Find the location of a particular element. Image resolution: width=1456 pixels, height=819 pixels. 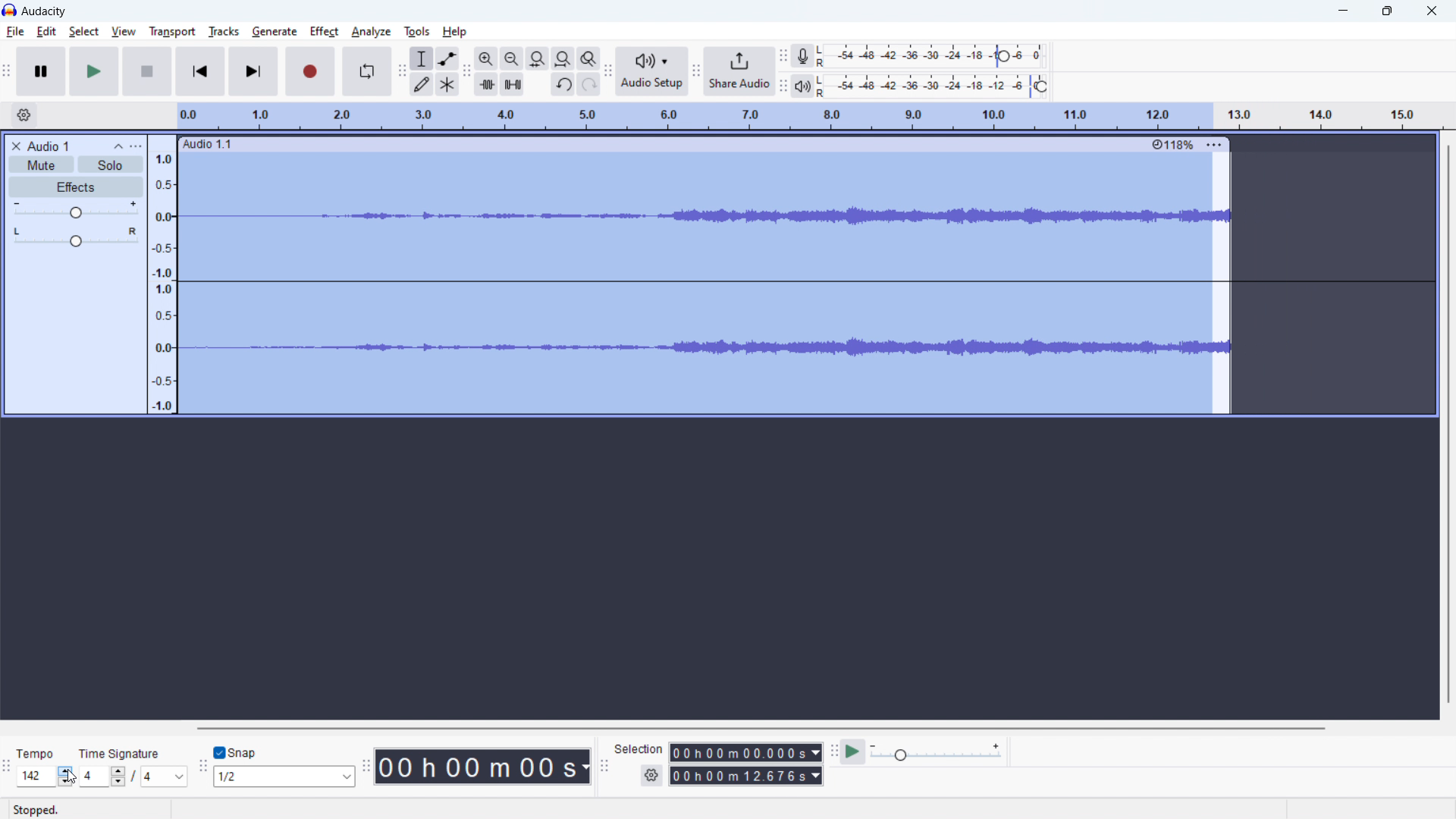

multi tool is located at coordinates (448, 83).